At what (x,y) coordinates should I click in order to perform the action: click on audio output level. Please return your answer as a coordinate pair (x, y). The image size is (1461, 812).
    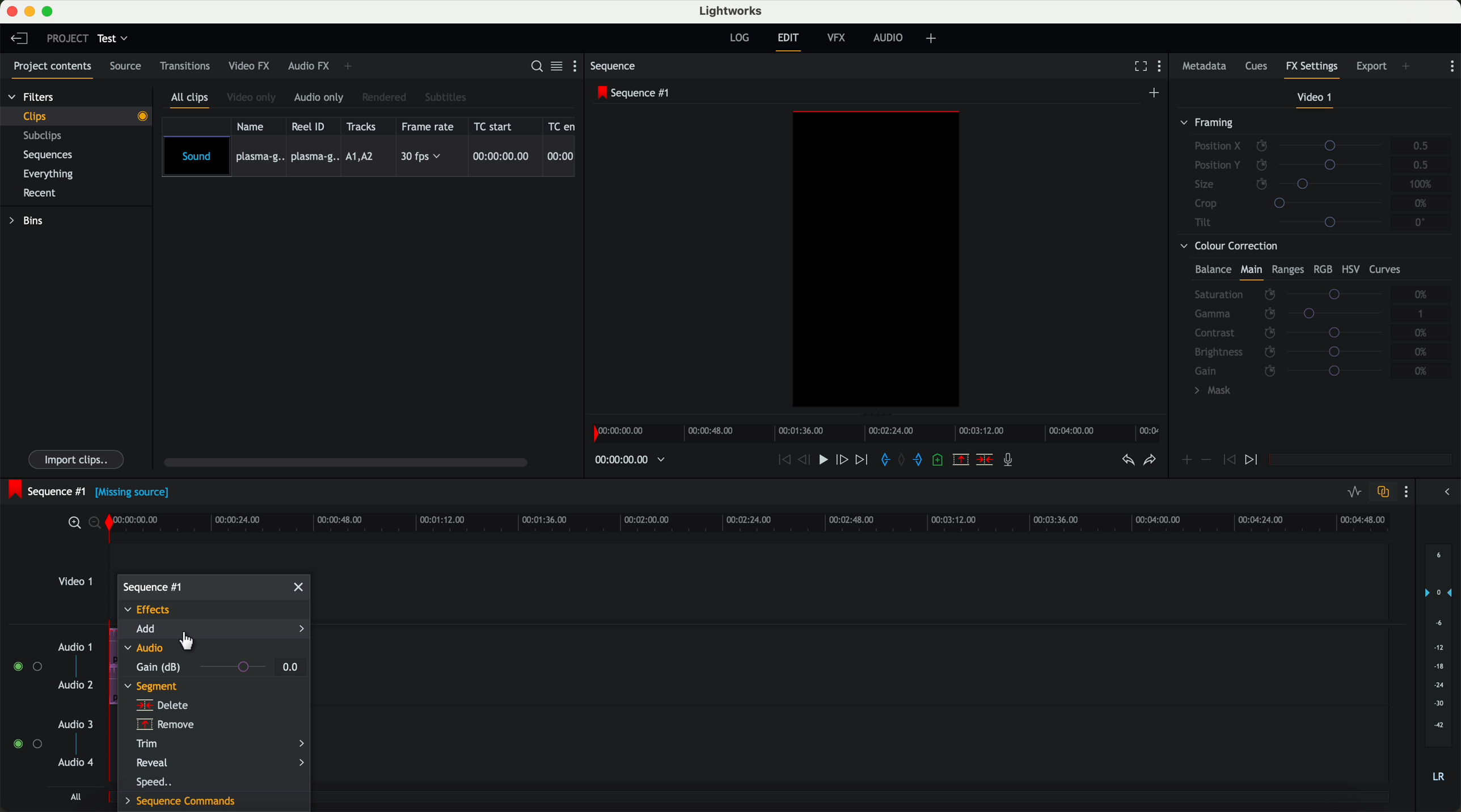
    Looking at the image, I should click on (1439, 670).